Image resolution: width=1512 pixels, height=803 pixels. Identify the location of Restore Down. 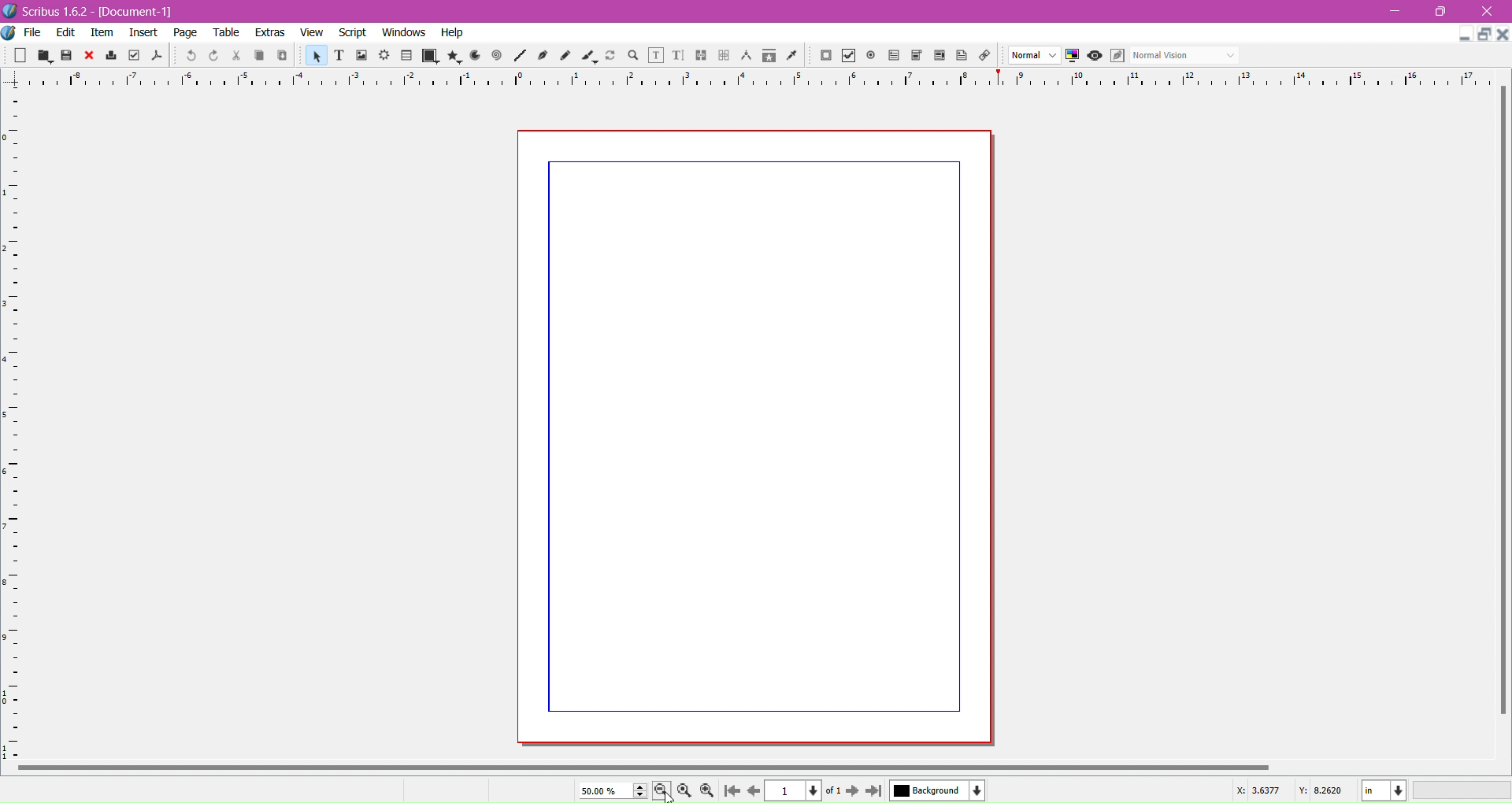
(1442, 12).